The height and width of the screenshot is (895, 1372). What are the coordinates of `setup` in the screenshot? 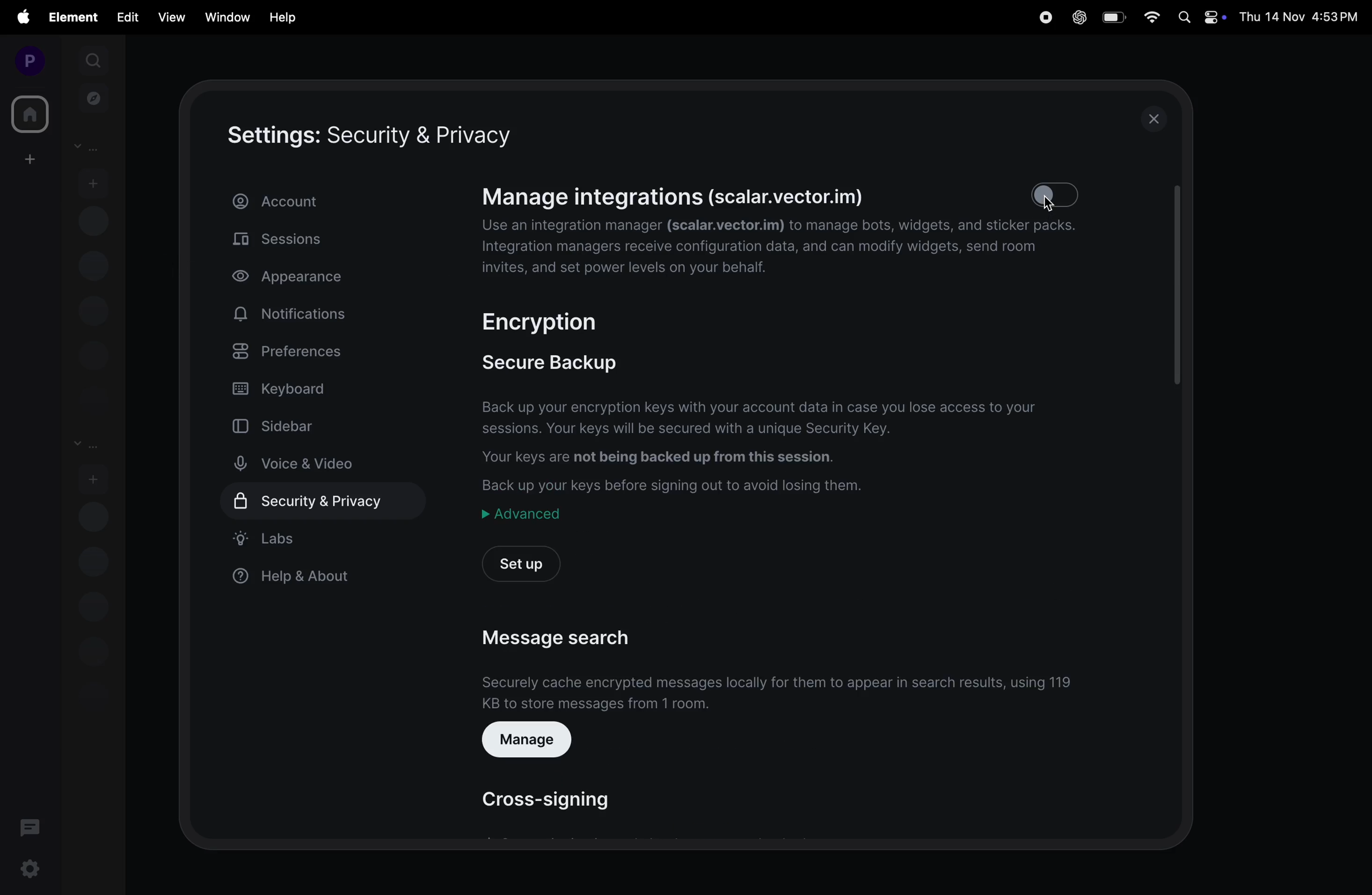 It's located at (521, 564).